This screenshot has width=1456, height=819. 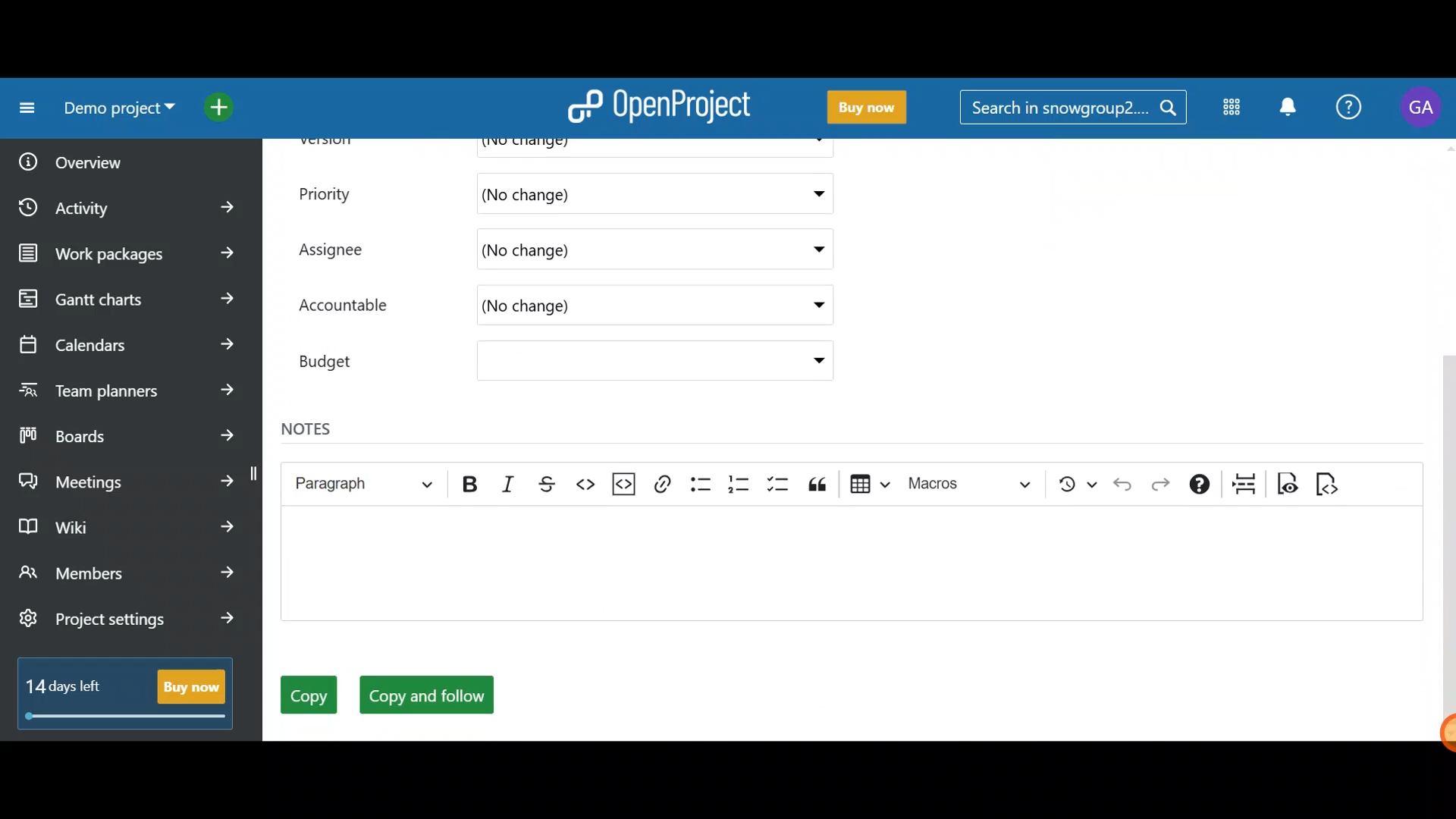 I want to click on Gantt charts, so click(x=128, y=300).